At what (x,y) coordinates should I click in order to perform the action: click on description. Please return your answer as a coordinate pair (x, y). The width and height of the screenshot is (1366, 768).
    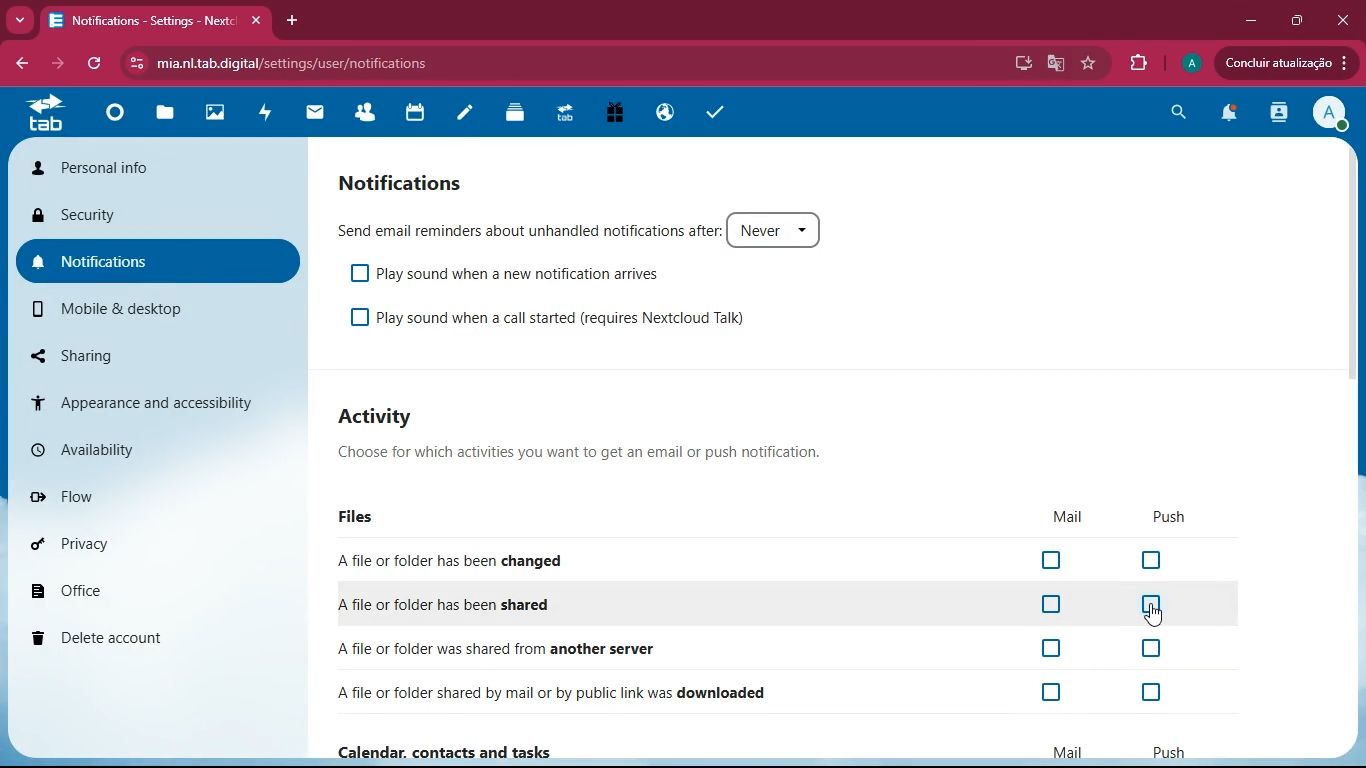
    Looking at the image, I should click on (586, 451).